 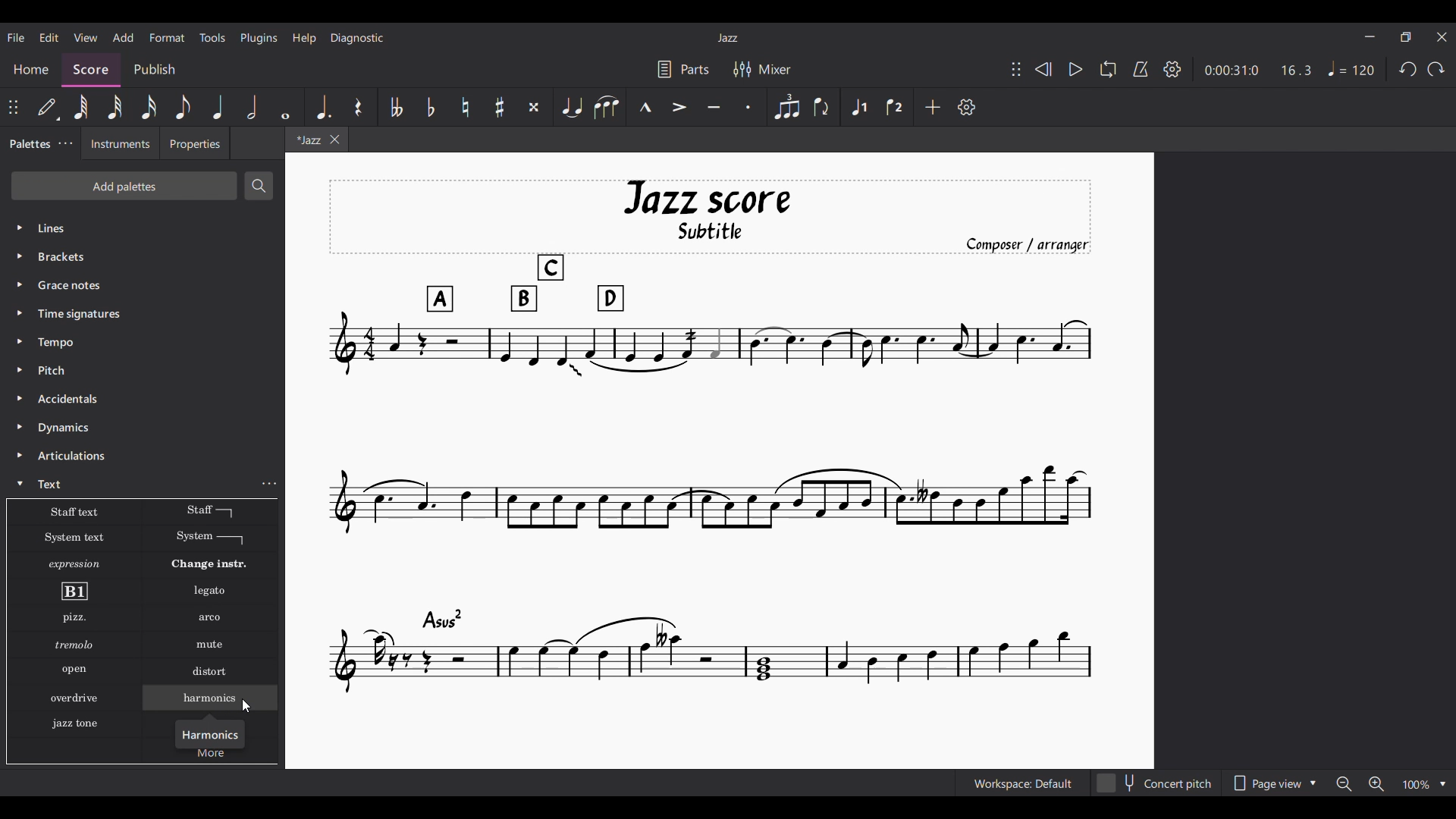 I want to click on Legato, so click(x=212, y=591).